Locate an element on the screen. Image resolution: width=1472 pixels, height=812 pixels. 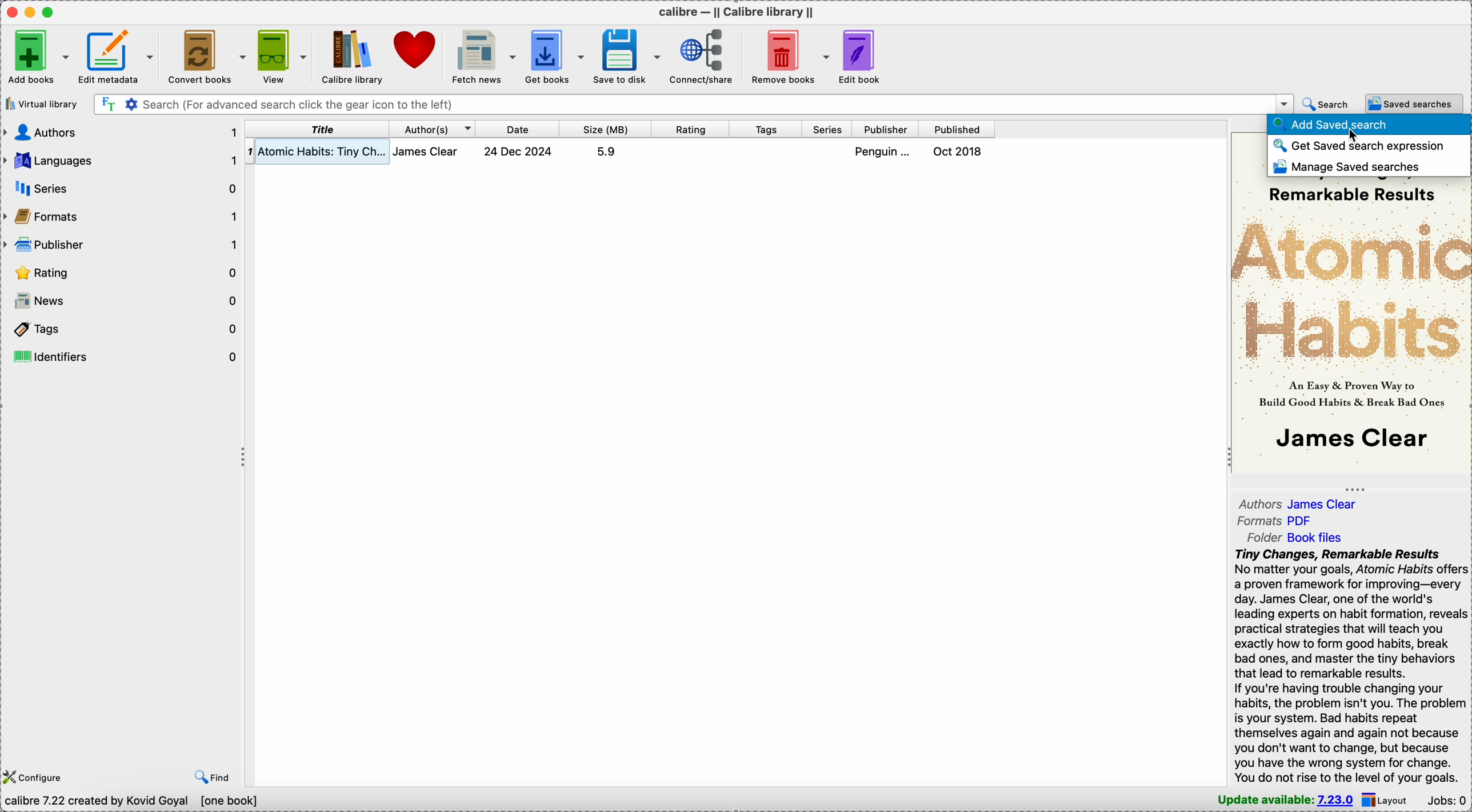
atomic habits: Tiny changes, remarkable results is located at coordinates (323, 152).